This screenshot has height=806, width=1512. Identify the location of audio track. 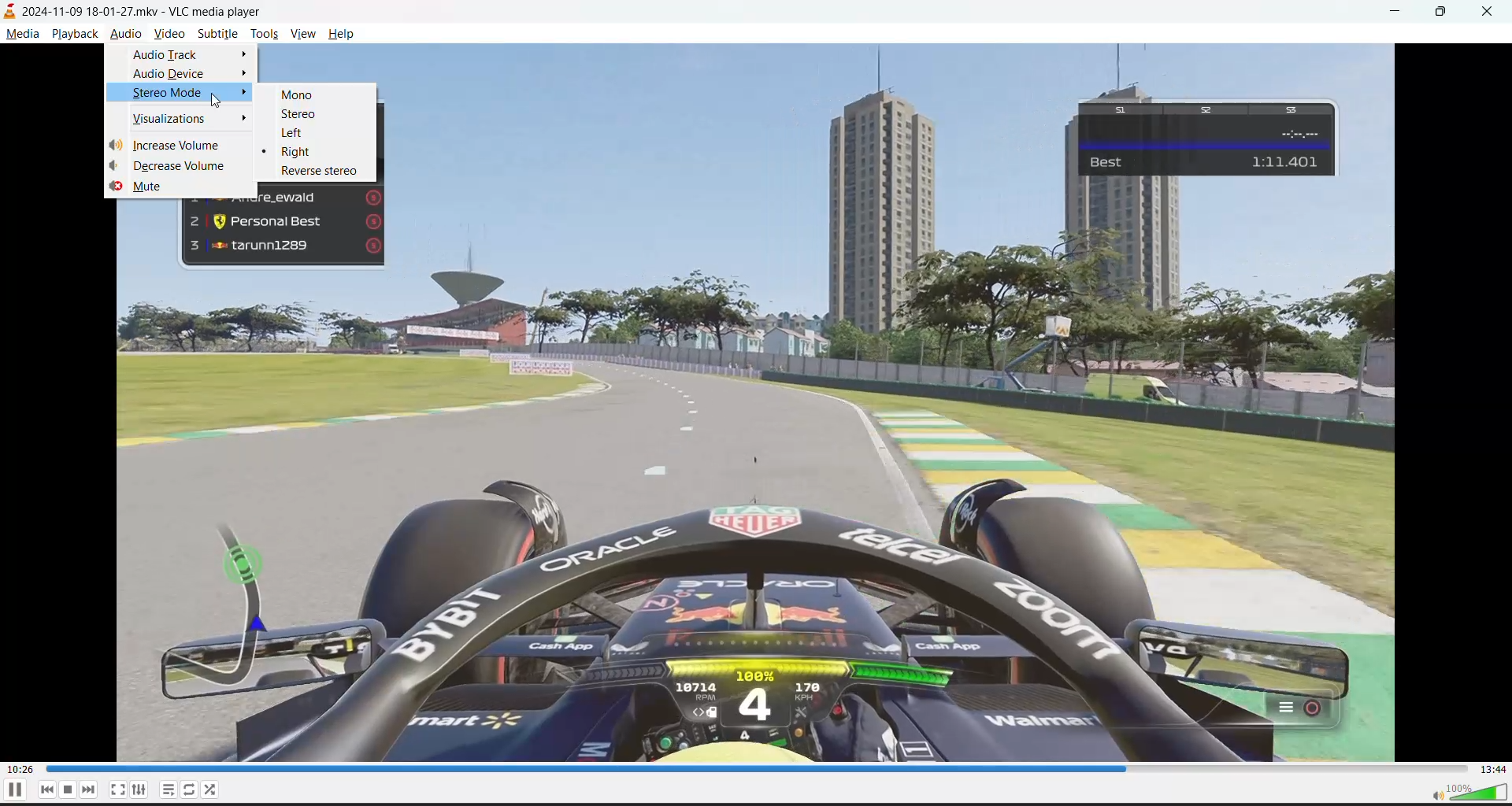
(189, 55).